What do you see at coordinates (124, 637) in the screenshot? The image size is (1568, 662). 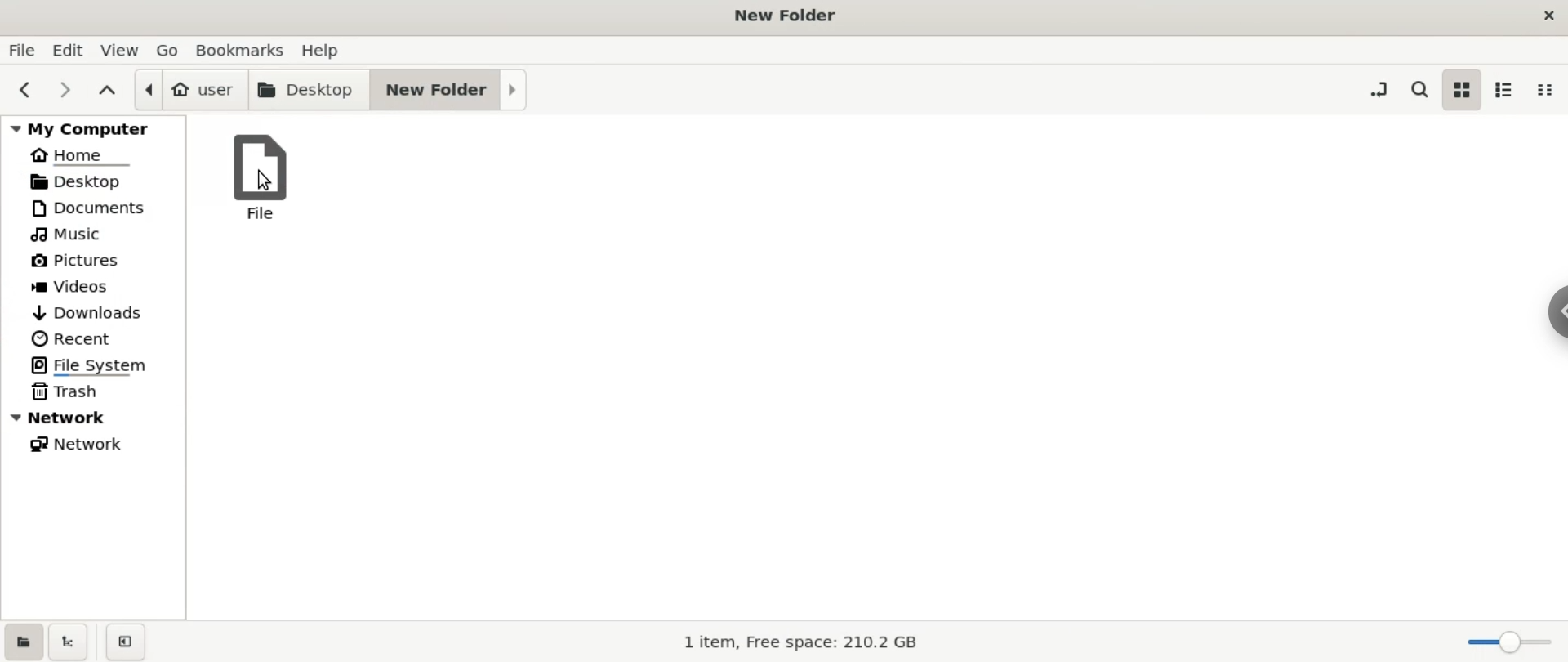 I see `close sidebar` at bounding box center [124, 637].